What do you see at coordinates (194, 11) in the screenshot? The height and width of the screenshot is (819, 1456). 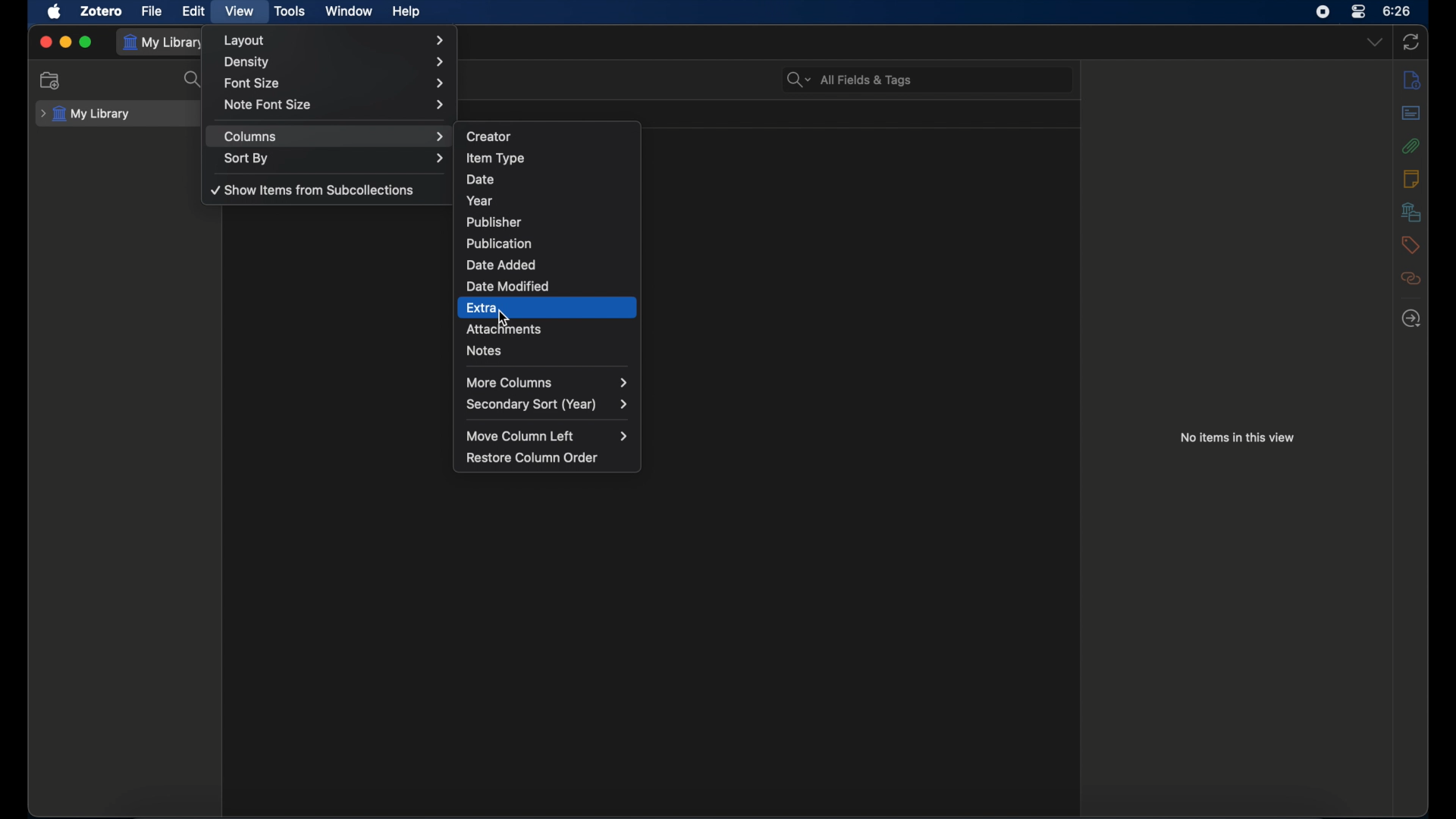 I see `edit` at bounding box center [194, 11].